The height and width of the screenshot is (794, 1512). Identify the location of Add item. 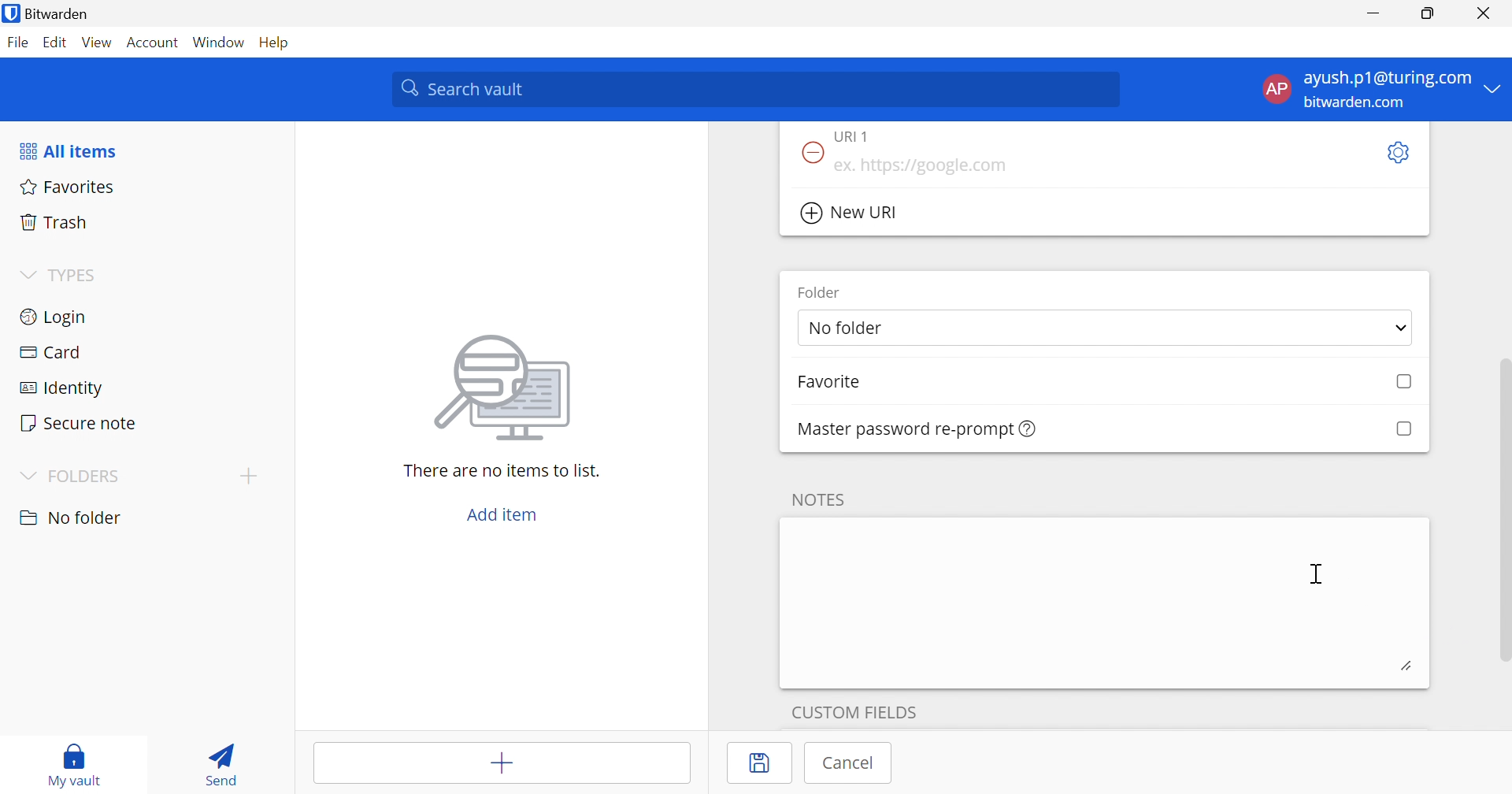
(503, 765).